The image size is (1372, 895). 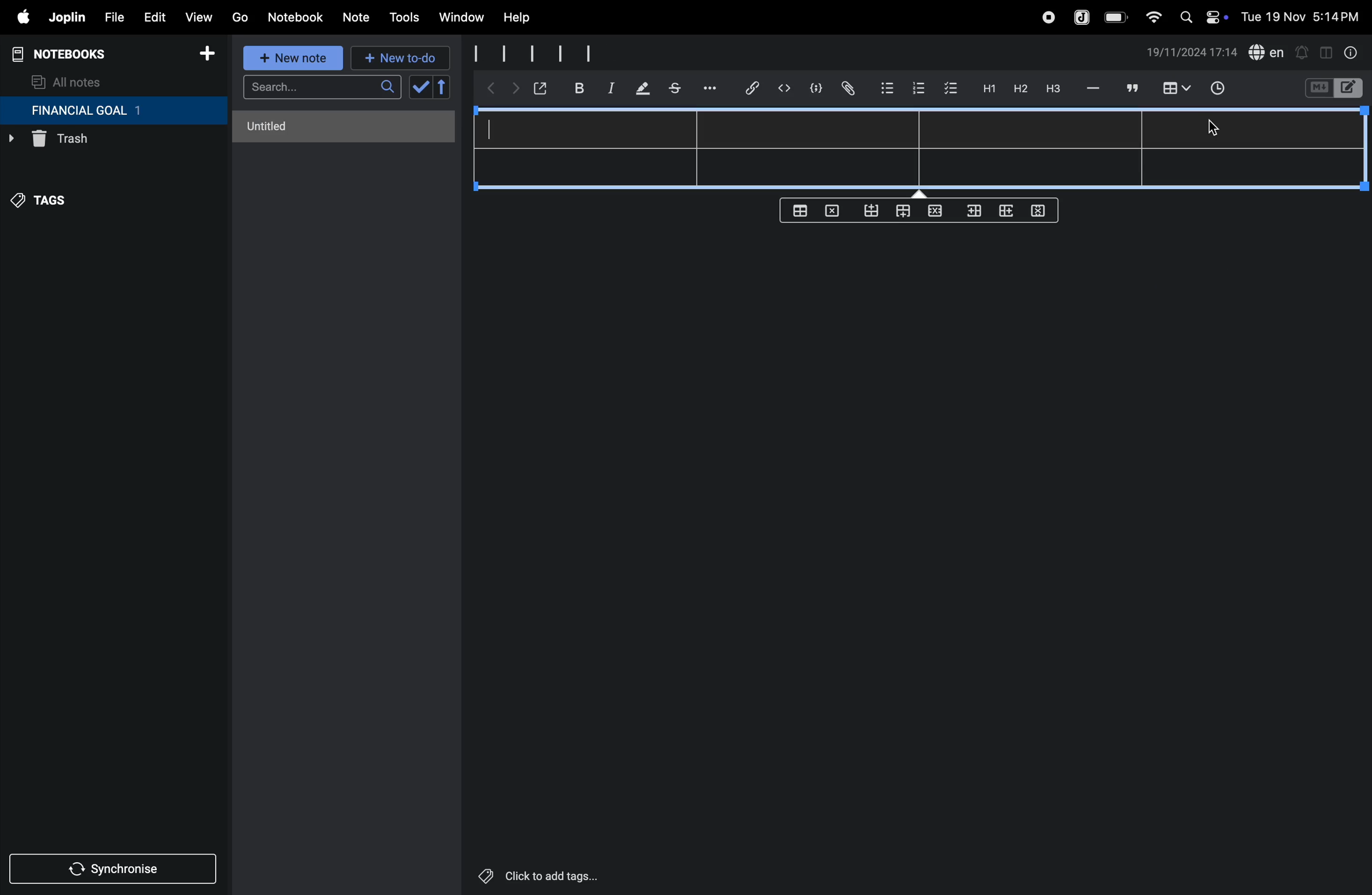 What do you see at coordinates (812, 88) in the screenshot?
I see `code block` at bounding box center [812, 88].